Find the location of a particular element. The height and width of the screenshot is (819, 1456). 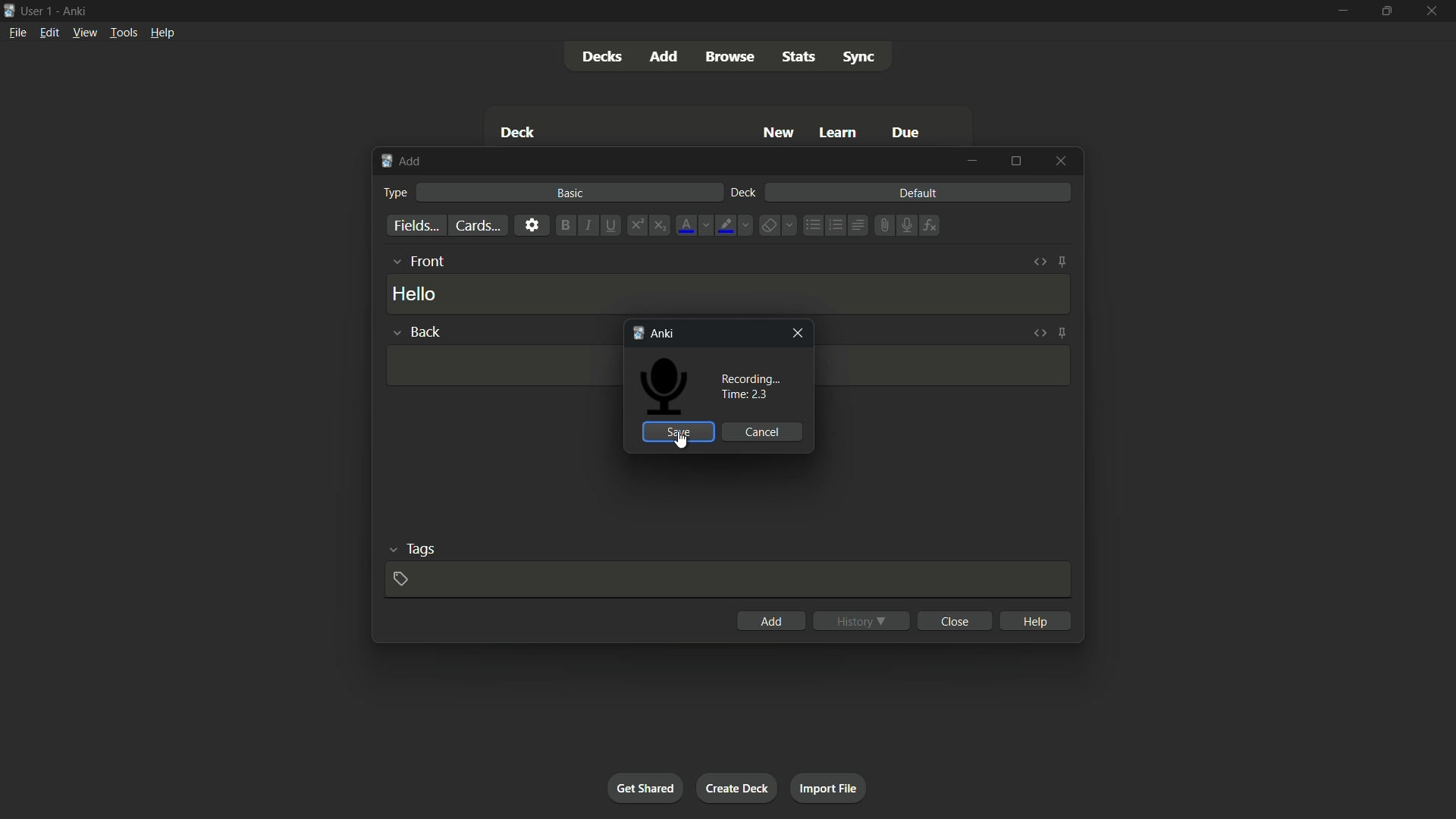

history is located at coordinates (863, 619).